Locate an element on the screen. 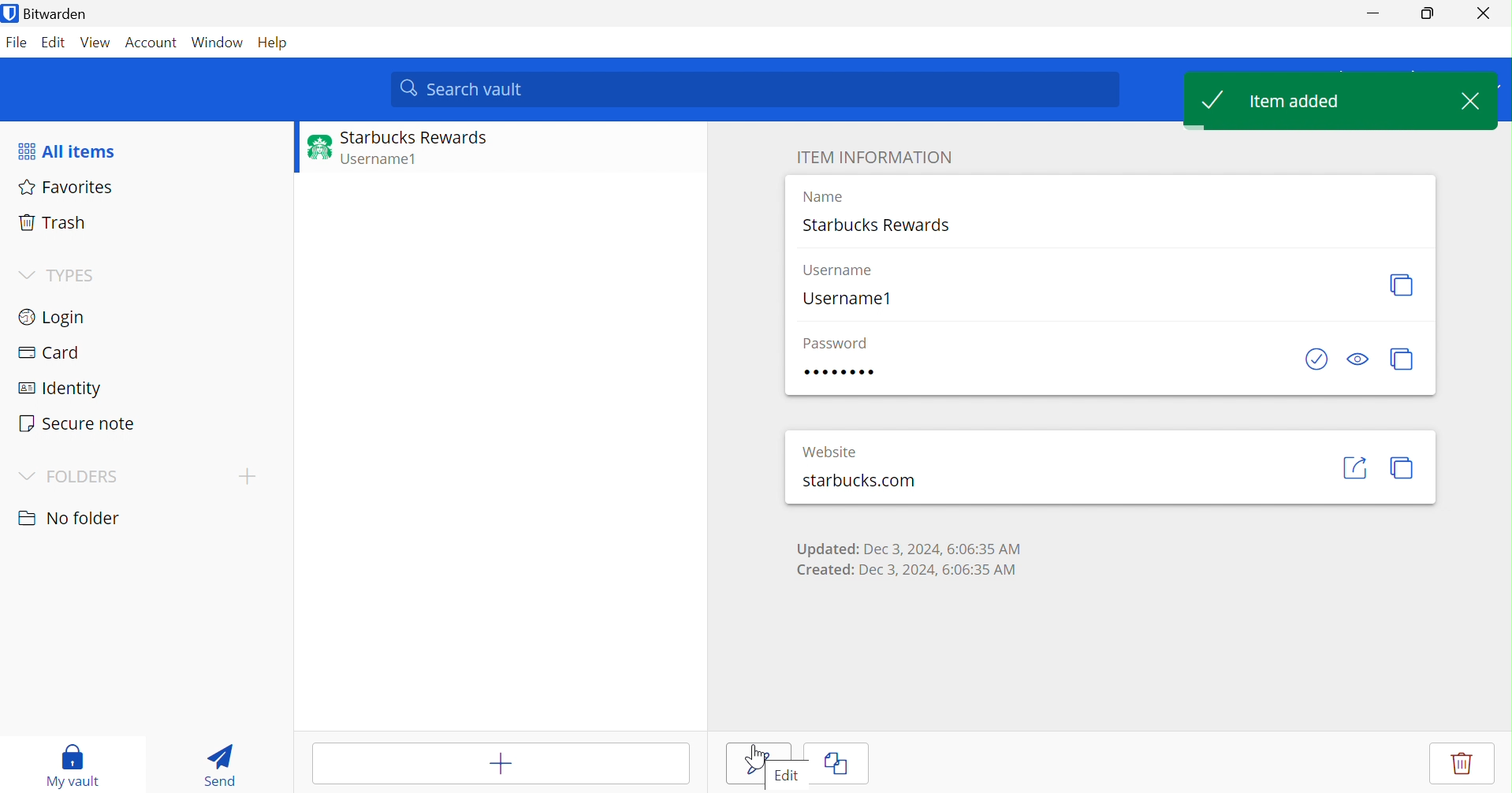 The width and height of the screenshot is (1512, 793). View is located at coordinates (95, 45).